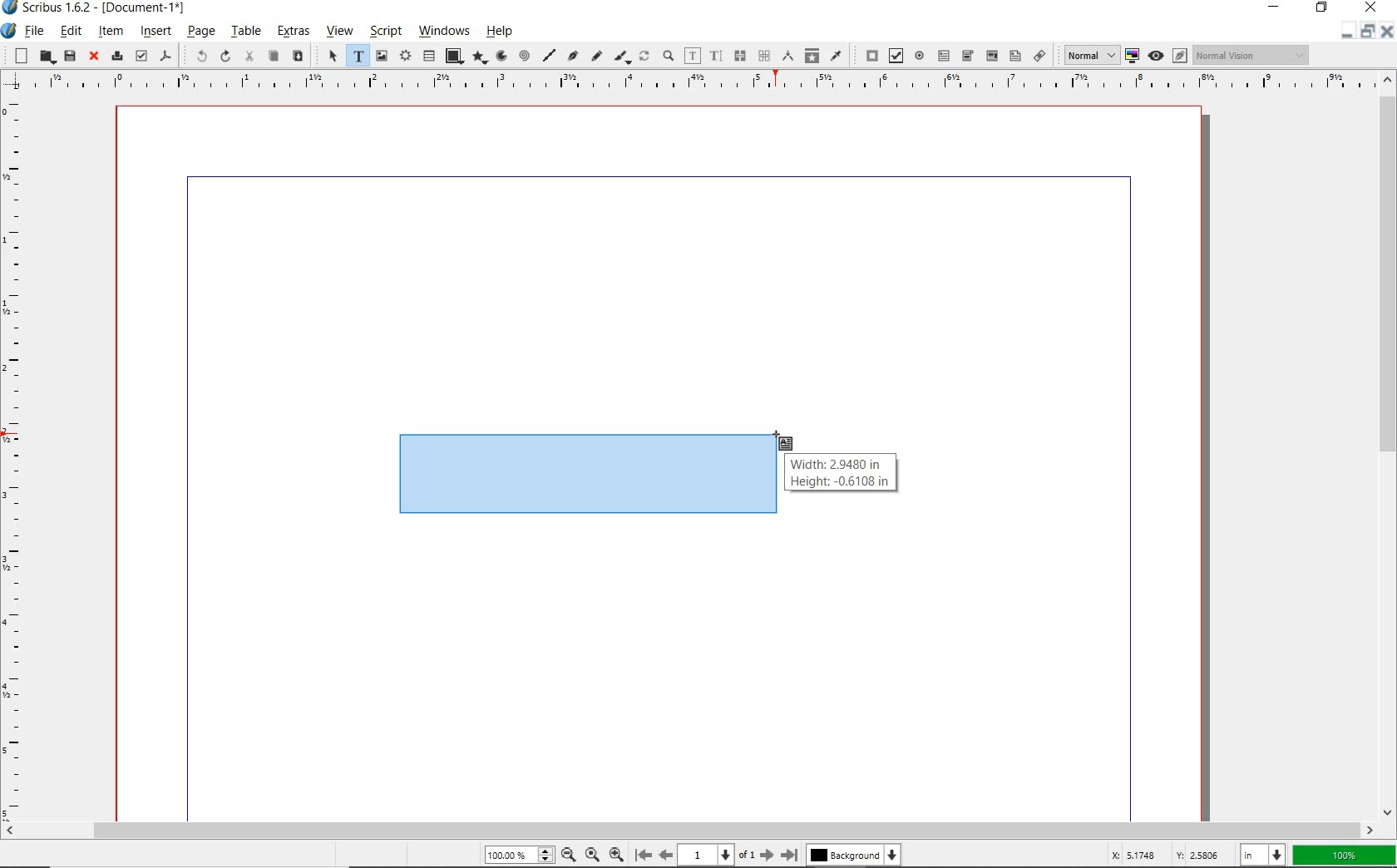 The image size is (1397, 868). I want to click on open, so click(46, 57).